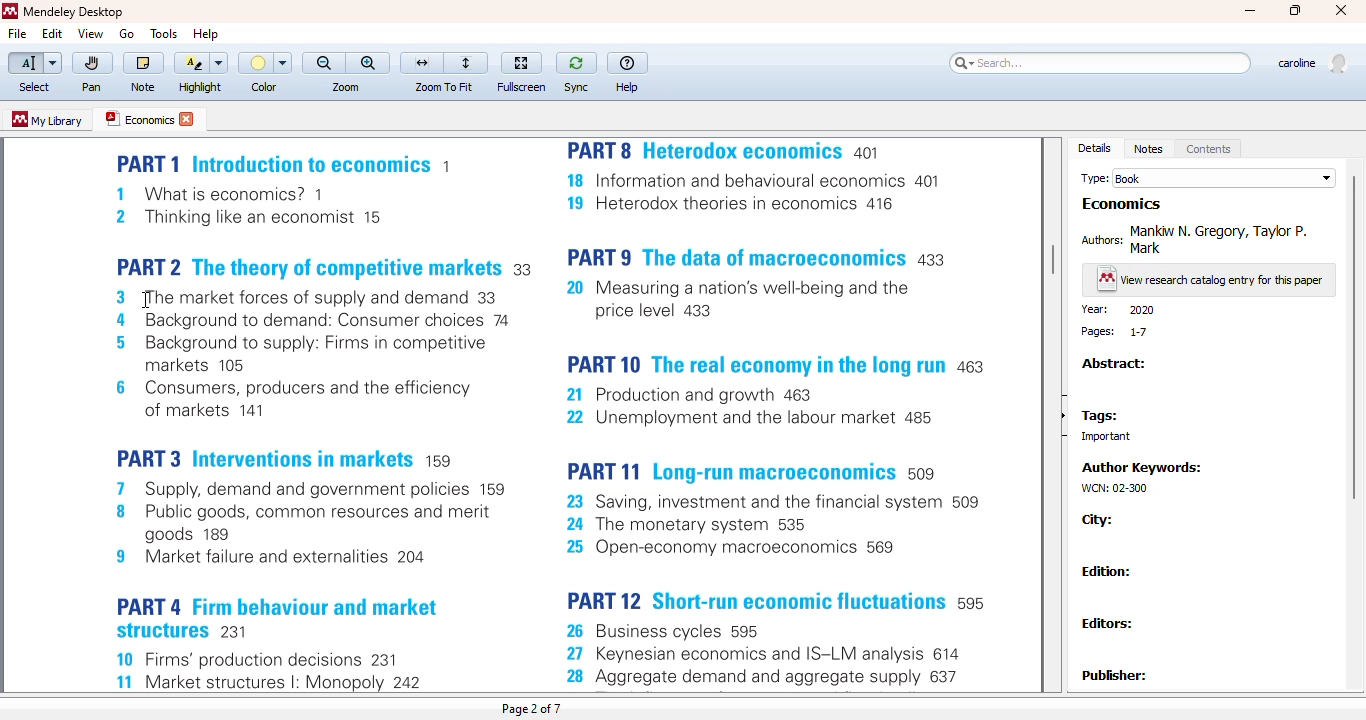 The height and width of the screenshot is (720, 1366). I want to click on Editors:, so click(1109, 621).